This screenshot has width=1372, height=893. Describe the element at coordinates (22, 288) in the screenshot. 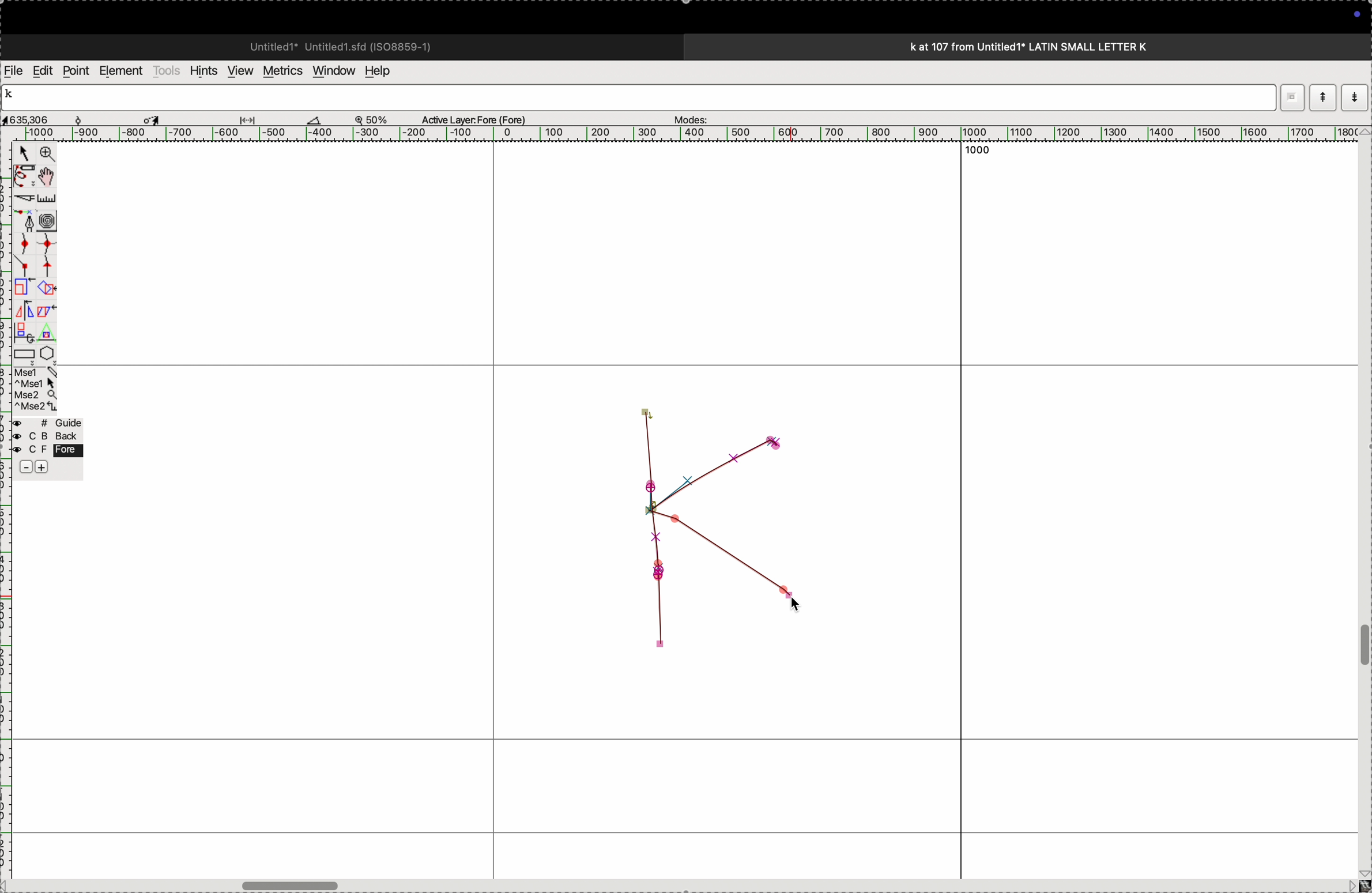

I see `clone` at that location.